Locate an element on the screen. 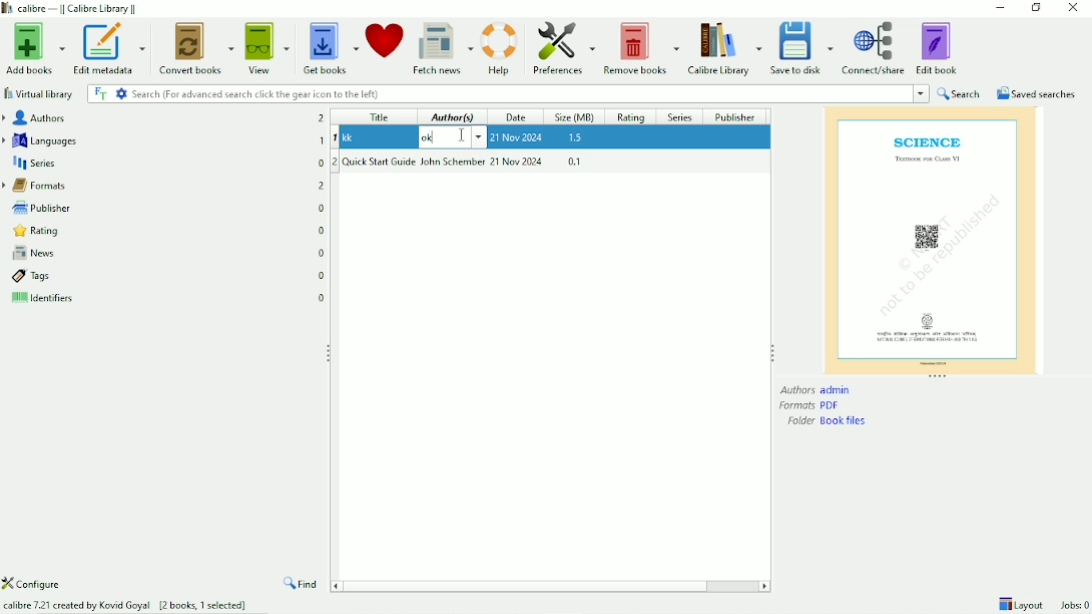 The width and height of the screenshot is (1092, 614). Connect/share is located at coordinates (873, 49).